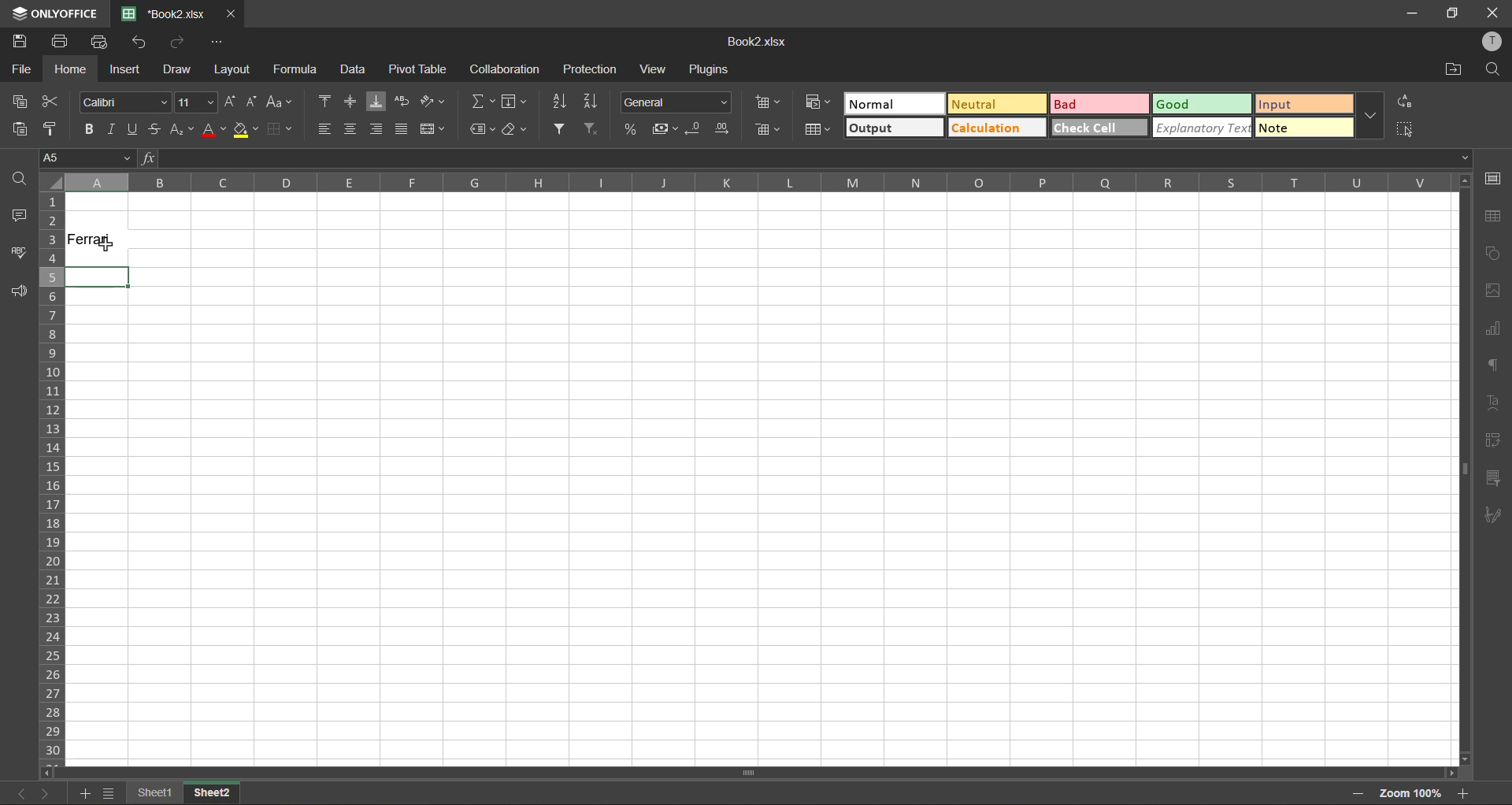 Image resolution: width=1512 pixels, height=805 pixels. Describe the element at coordinates (82, 794) in the screenshot. I see `add sheet` at that location.